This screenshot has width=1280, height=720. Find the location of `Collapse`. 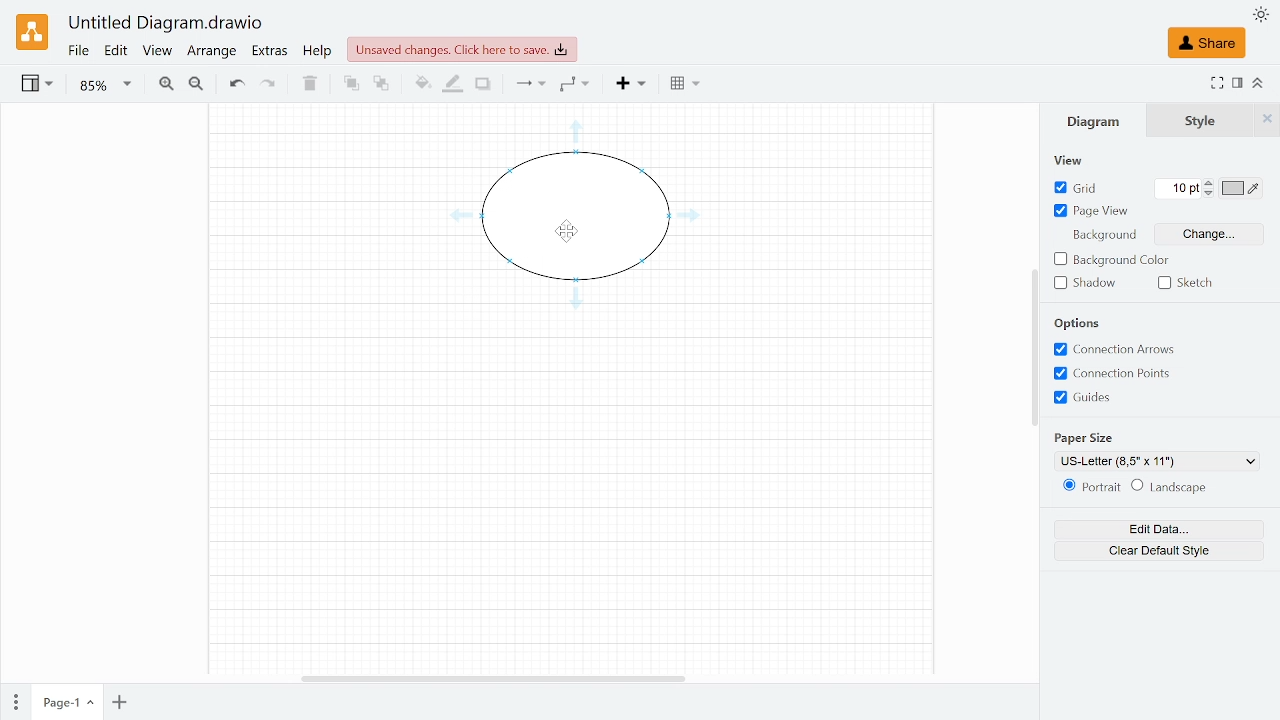

Collapse is located at coordinates (1256, 82).